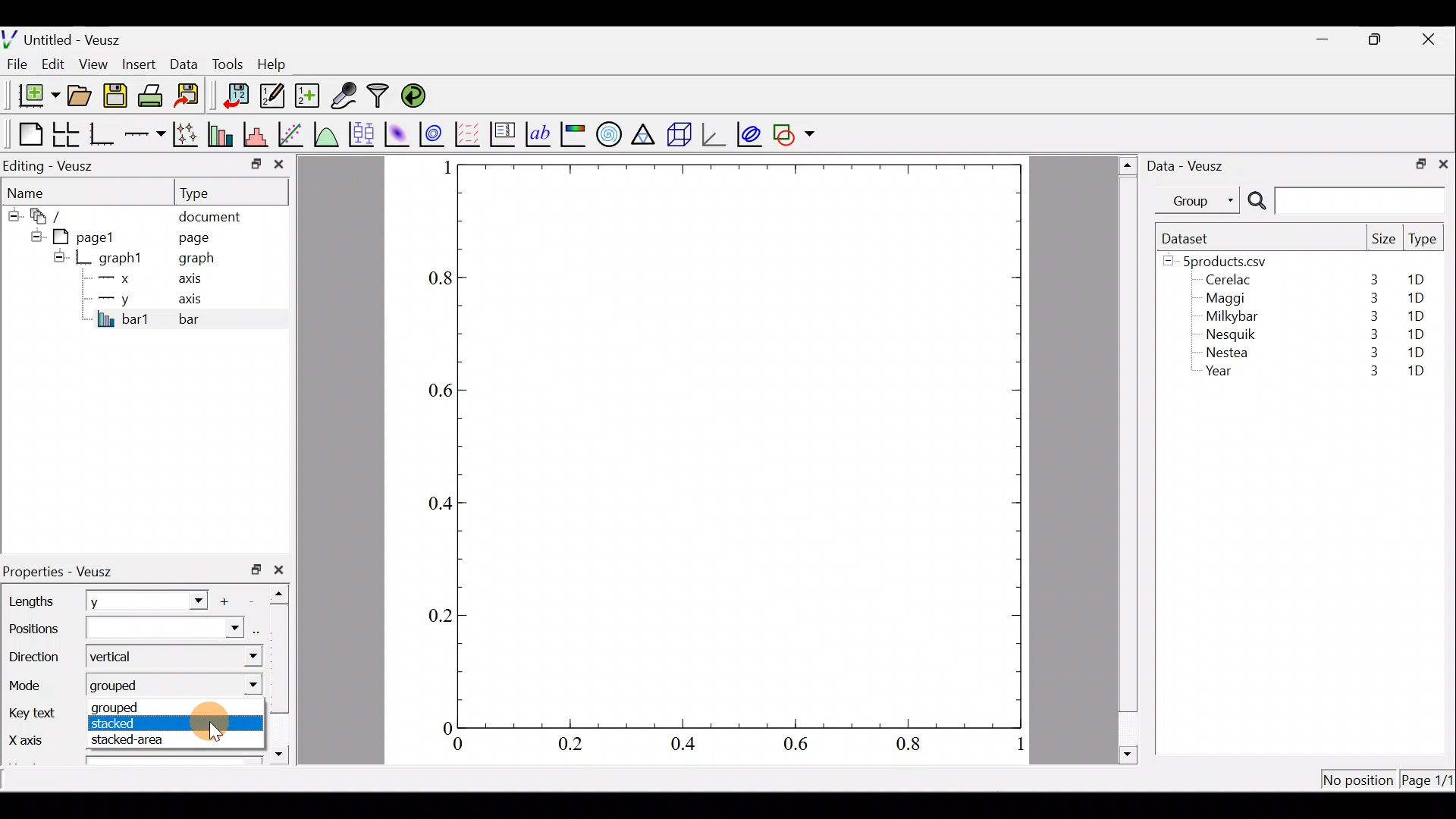  What do you see at coordinates (1370, 298) in the screenshot?
I see `3` at bounding box center [1370, 298].